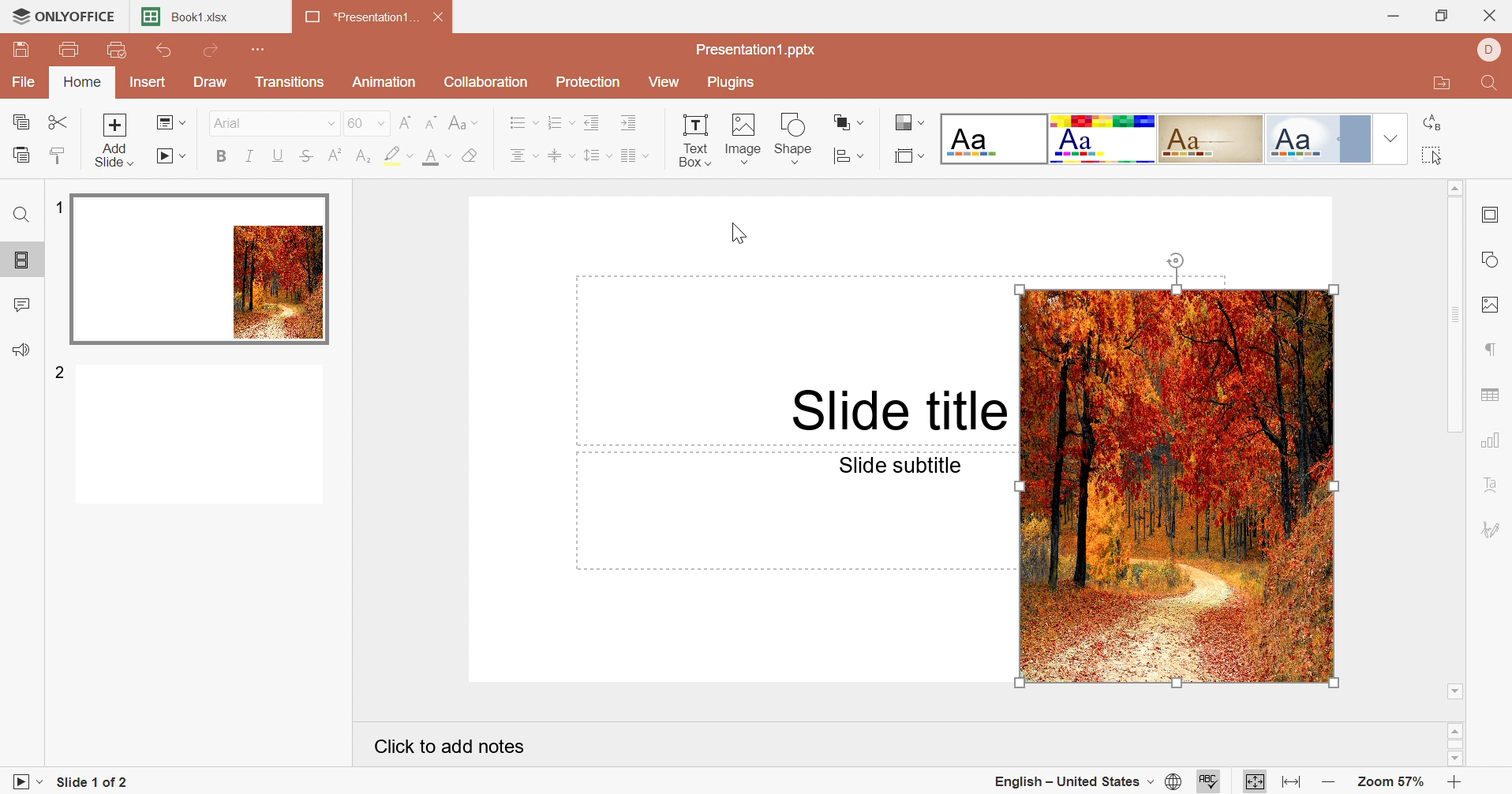 Image resolution: width=1512 pixels, height=794 pixels. What do you see at coordinates (21, 350) in the screenshot?
I see `Feedback & support` at bounding box center [21, 350].